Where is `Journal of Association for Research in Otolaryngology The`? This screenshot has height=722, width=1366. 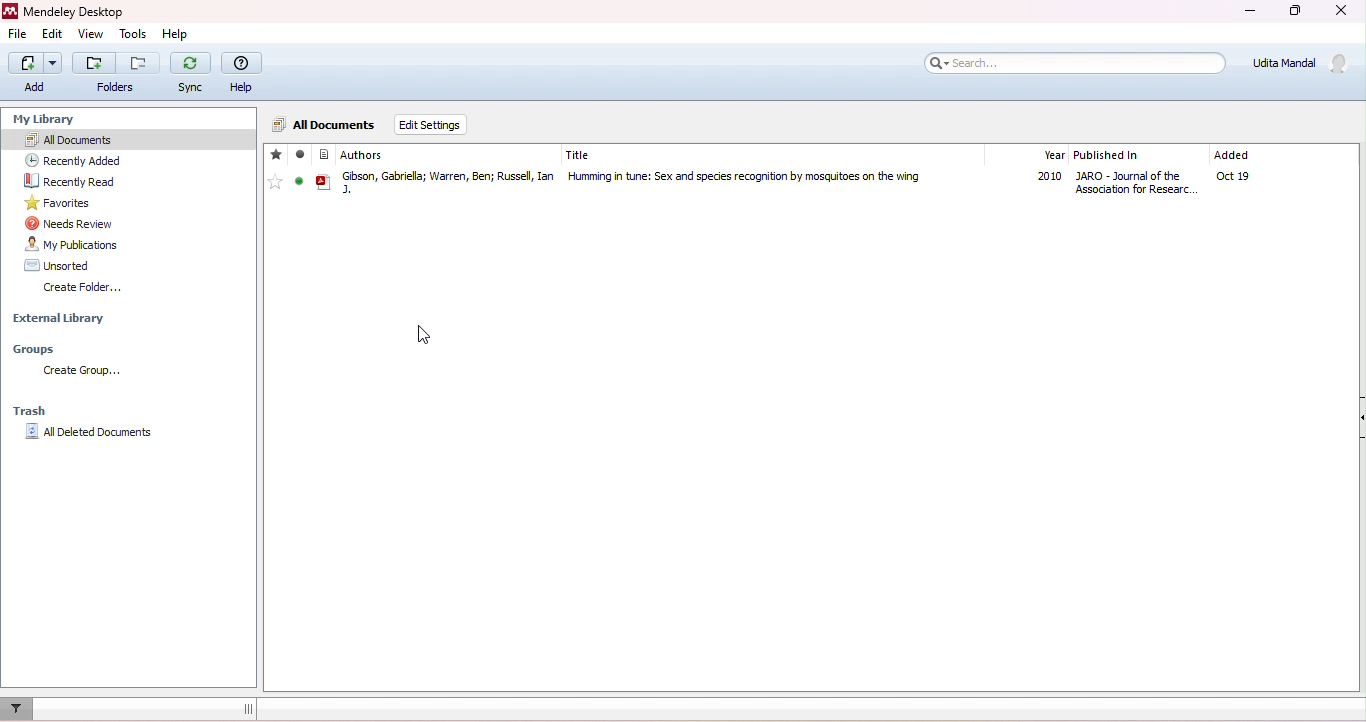
Journal of Association for Research in Otolaryngology The is located at coordinates (1136, 183).